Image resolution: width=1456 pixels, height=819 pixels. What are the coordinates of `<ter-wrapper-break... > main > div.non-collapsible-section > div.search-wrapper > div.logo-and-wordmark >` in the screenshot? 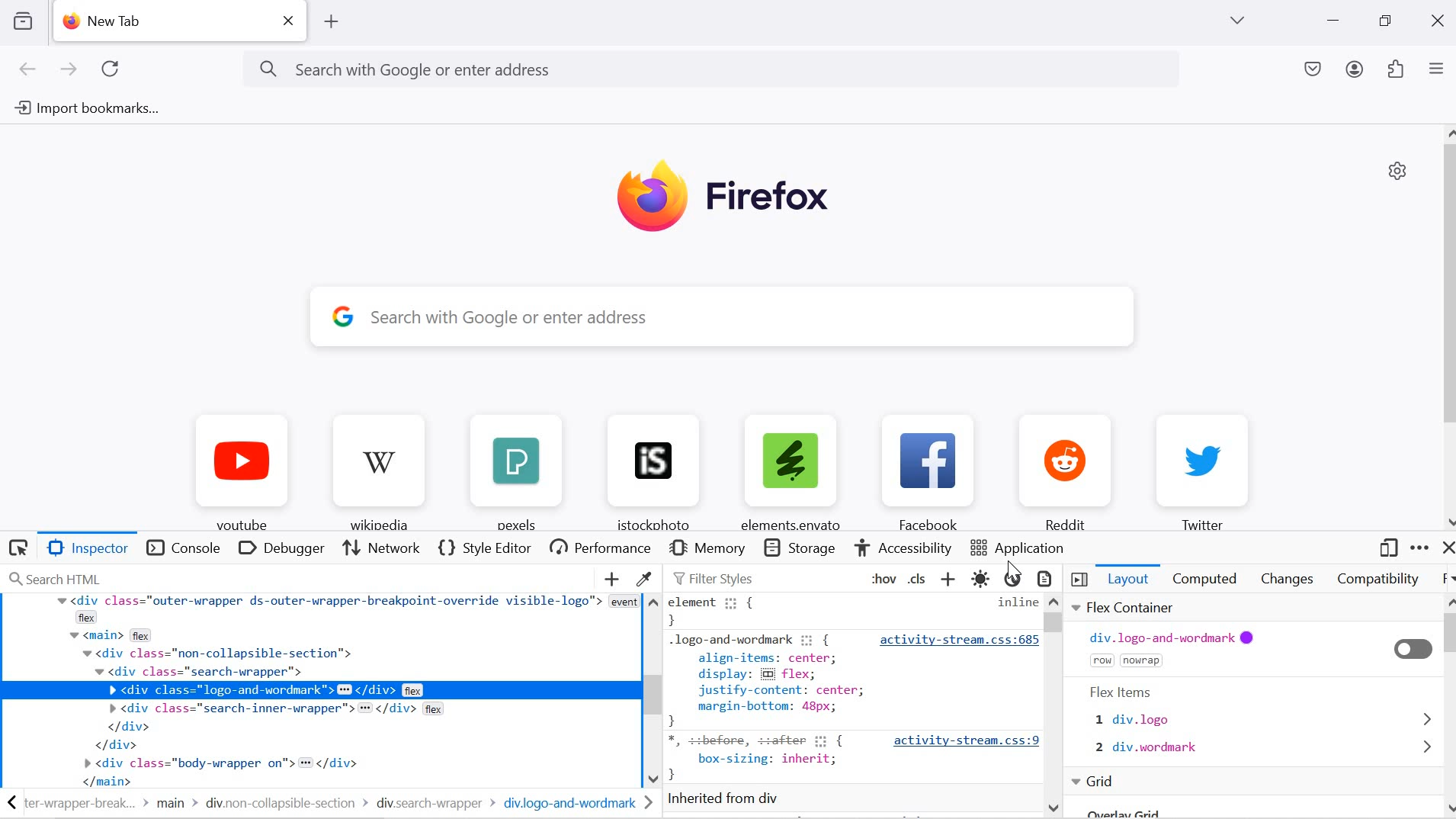 It's located at (329, 803).